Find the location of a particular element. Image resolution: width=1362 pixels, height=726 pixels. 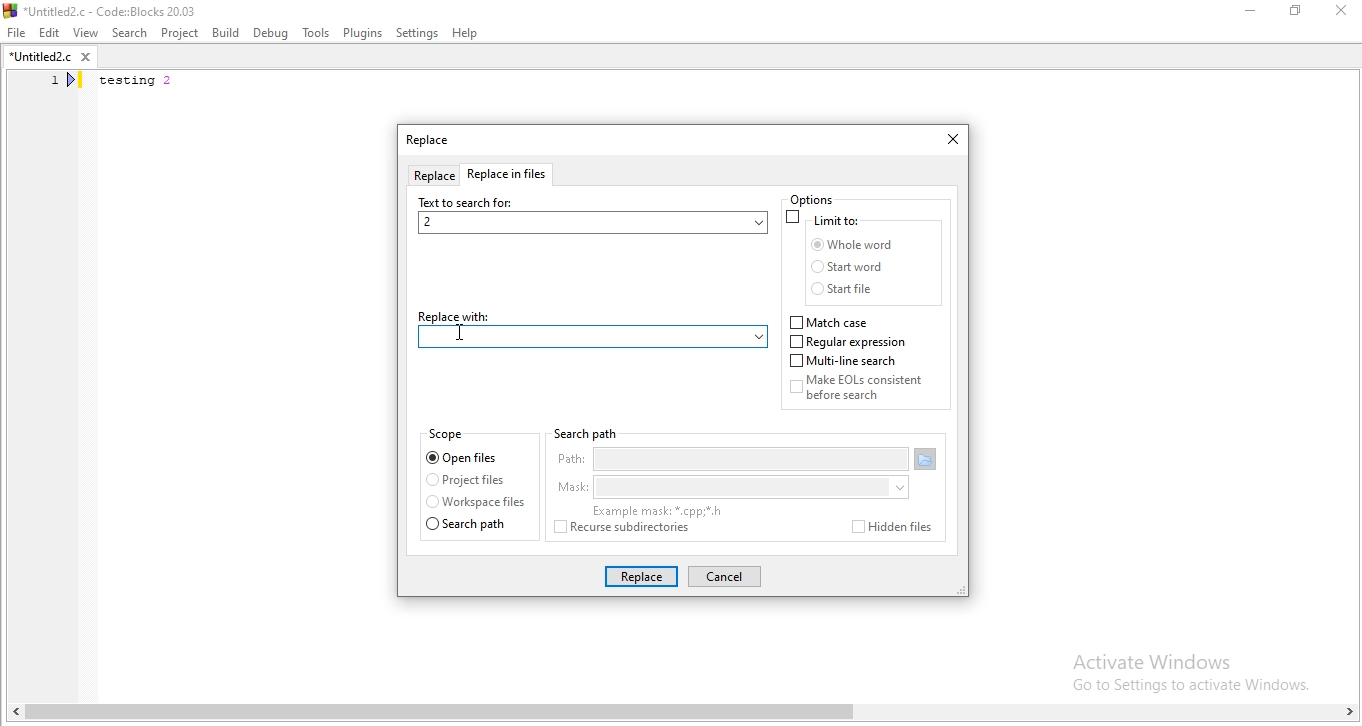

Minimise is located at coordinates (1250, 14).